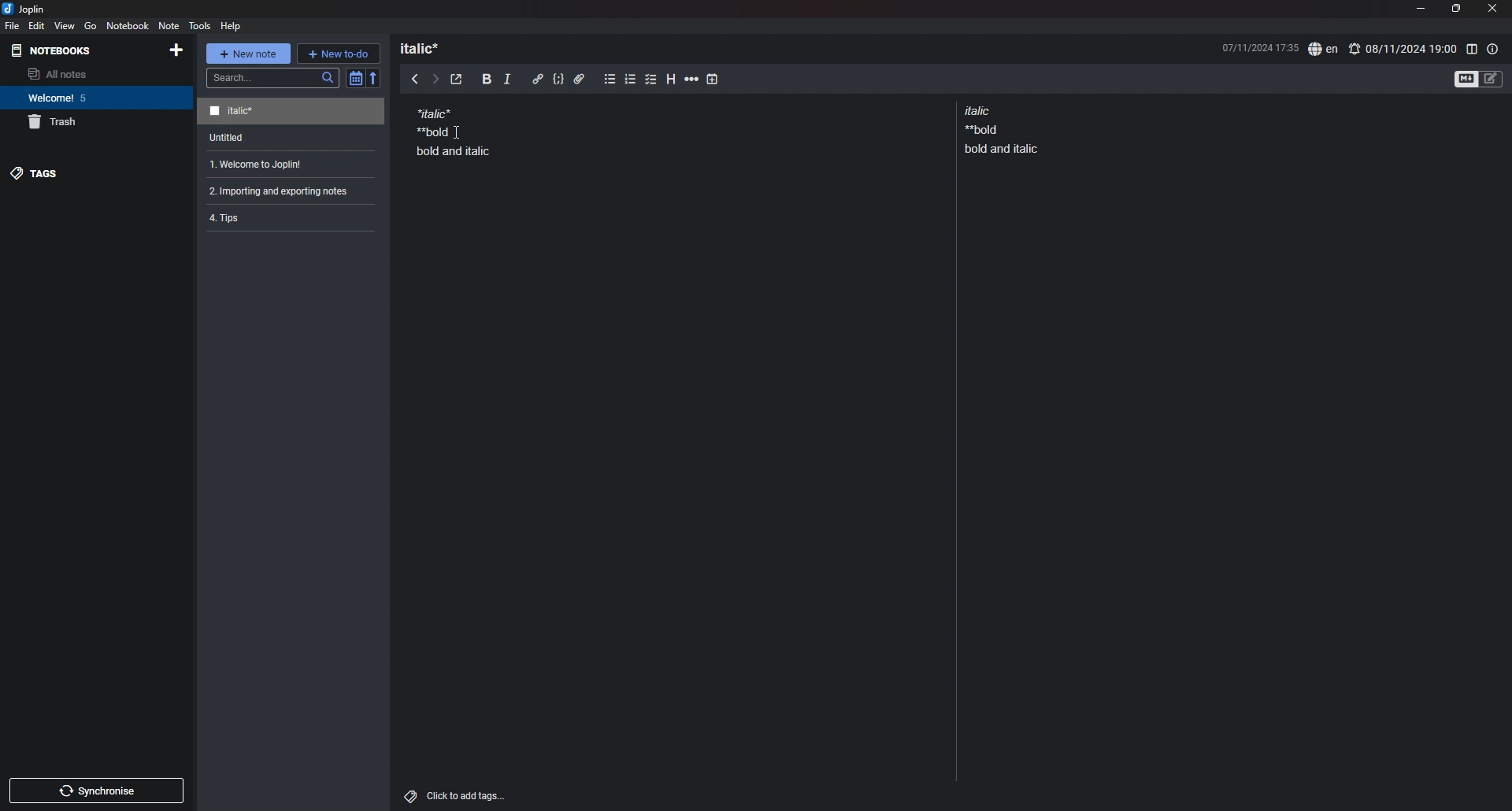 This screenshot has width=1512, height=811. What do you see at coordinates (55, 50) in the screenshot?
I see `notebooks` at bounding box center [55, 50].